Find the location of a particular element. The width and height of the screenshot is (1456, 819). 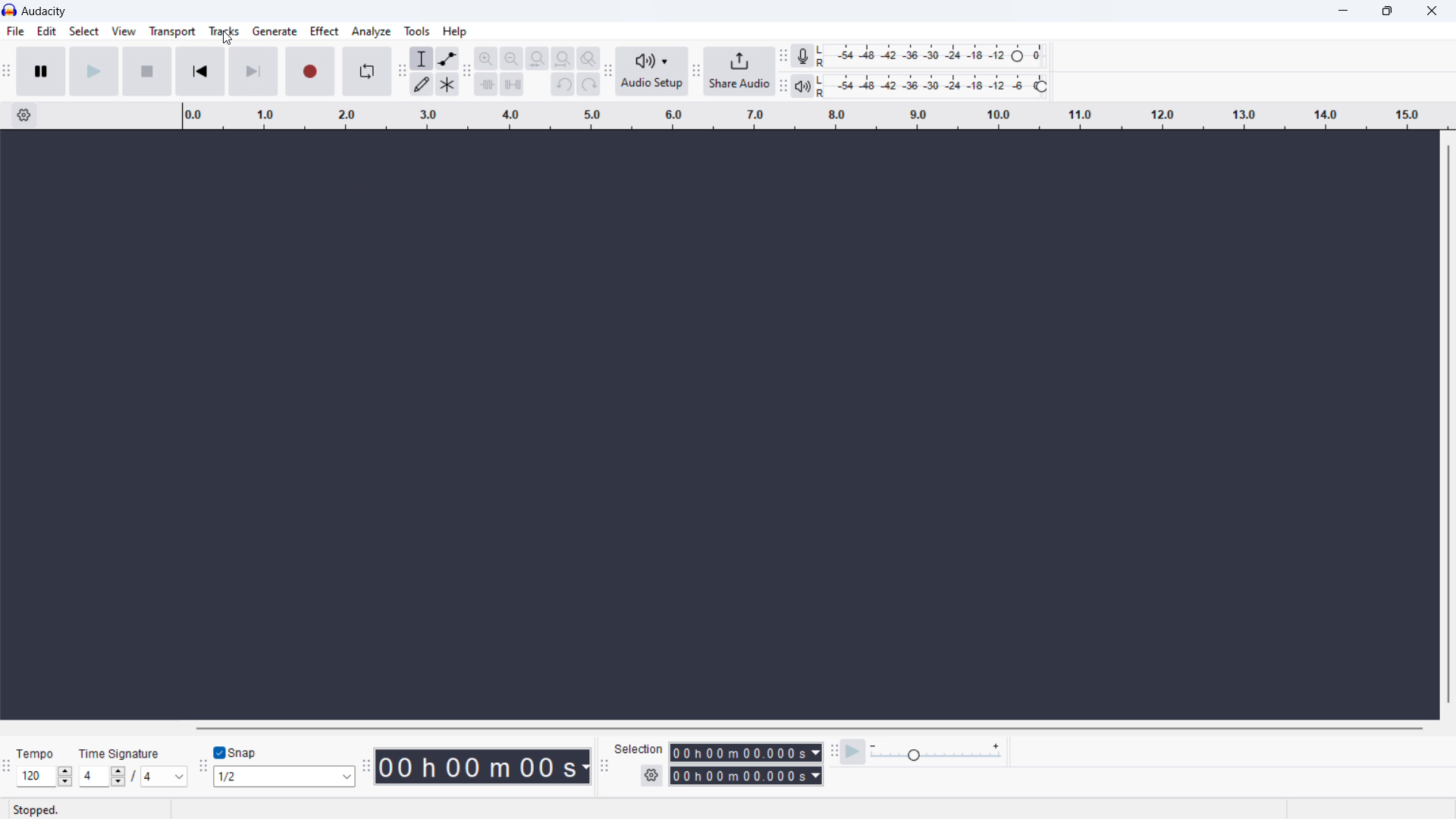

selection start time is located at coordinates (746, 752).